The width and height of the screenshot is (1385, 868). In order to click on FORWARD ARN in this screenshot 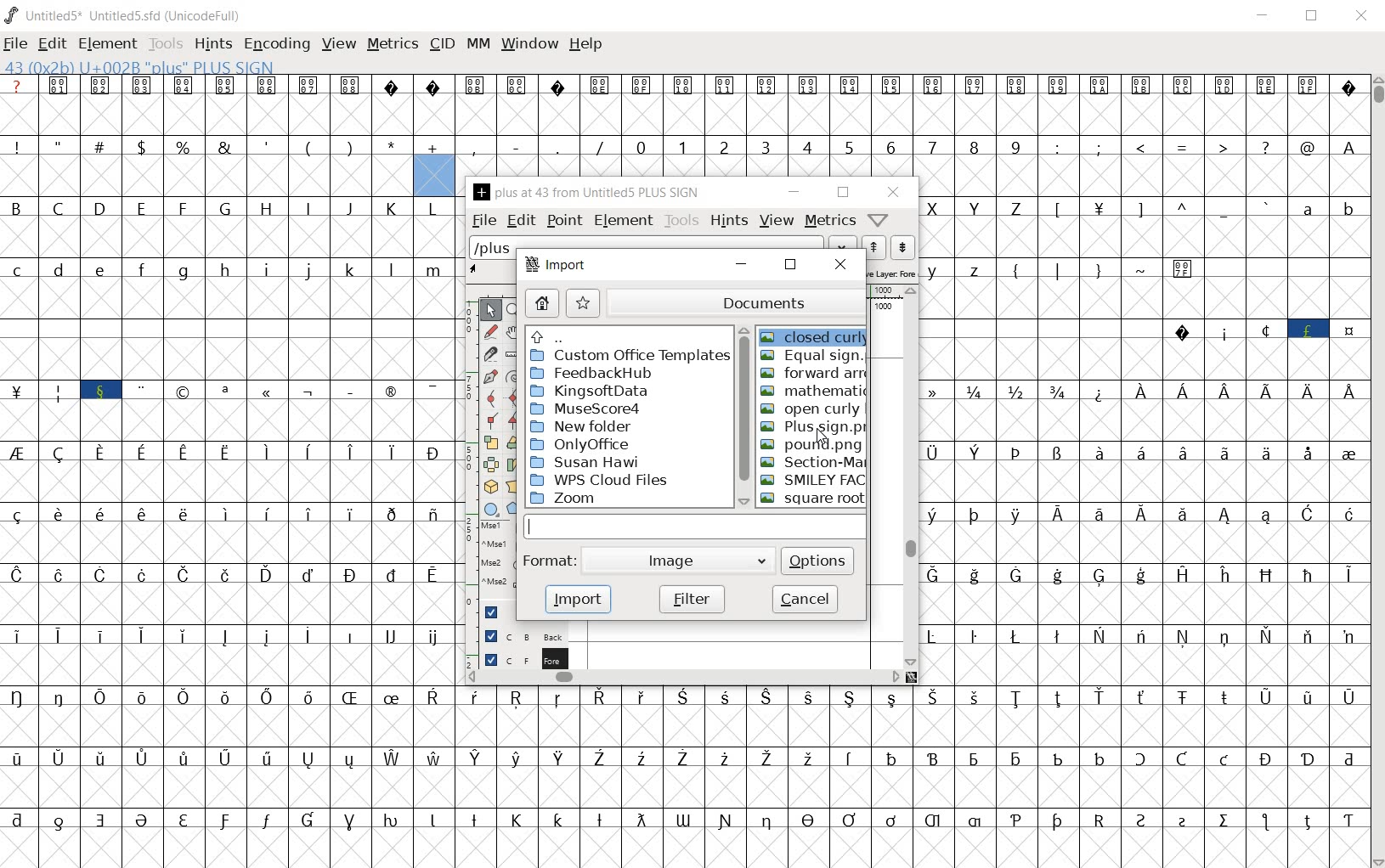, I will do `click(814, 372)`.